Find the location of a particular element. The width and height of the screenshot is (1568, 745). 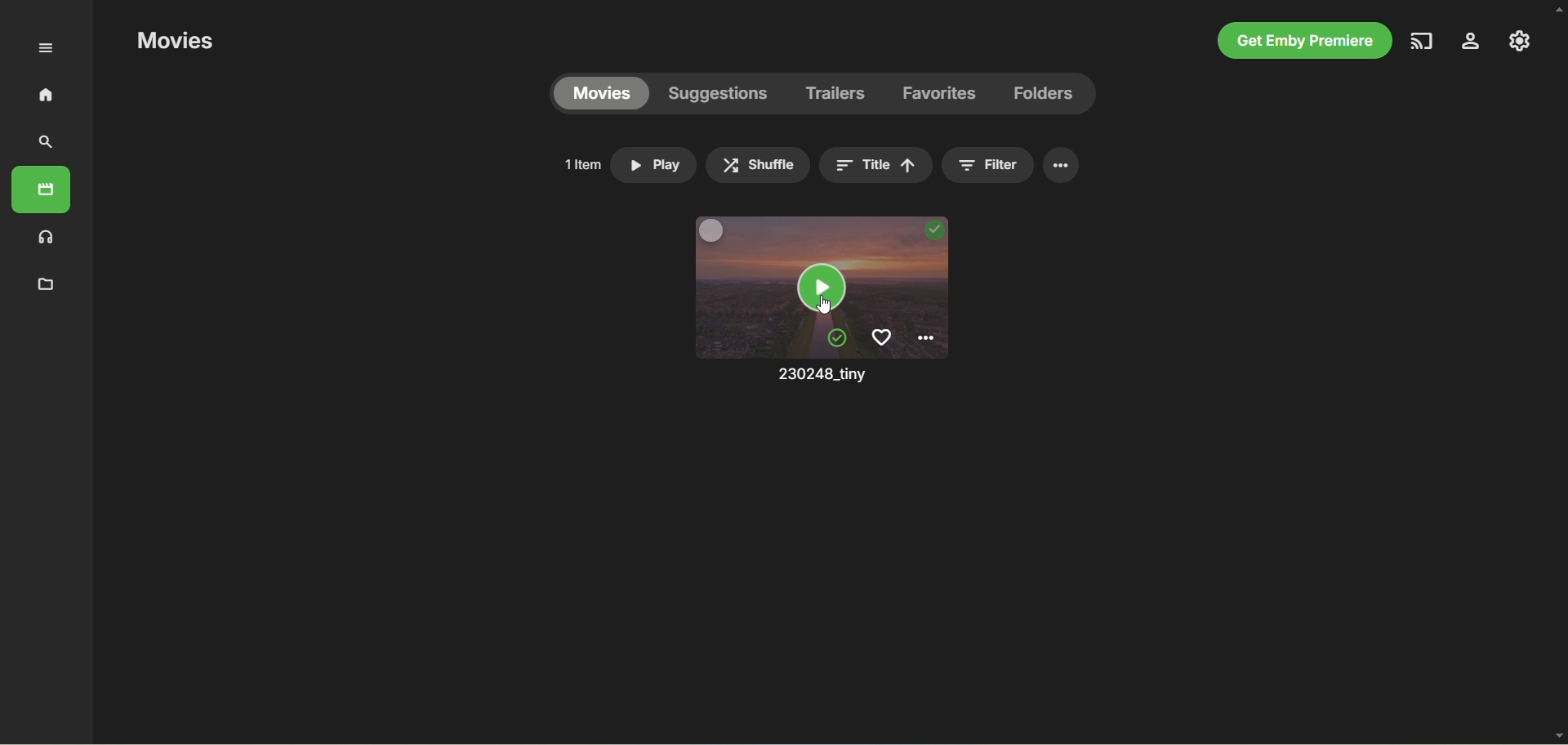

1 item is located at coordinates (580, 166).